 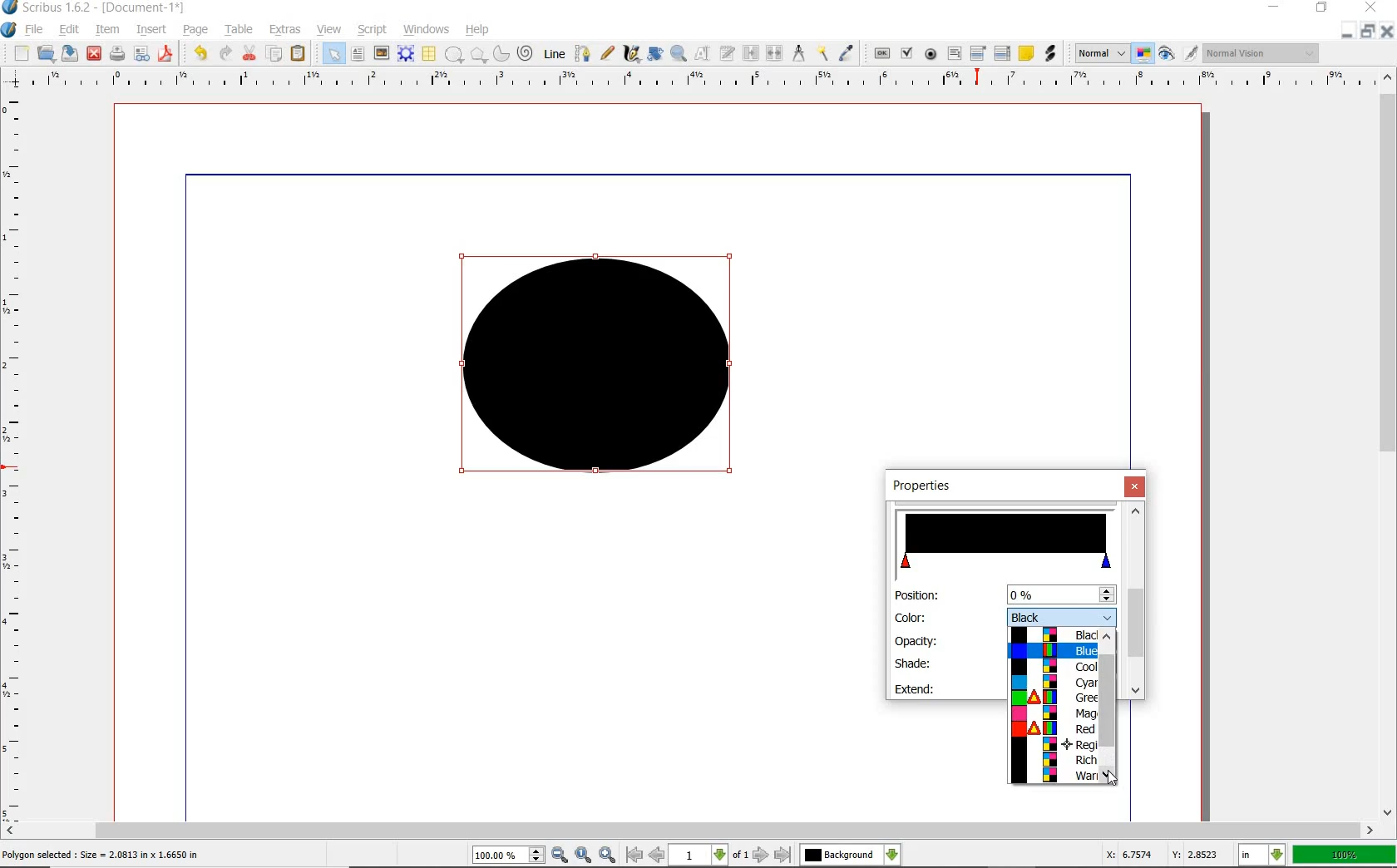 I want to click on shade, so click(x=913, y=663).